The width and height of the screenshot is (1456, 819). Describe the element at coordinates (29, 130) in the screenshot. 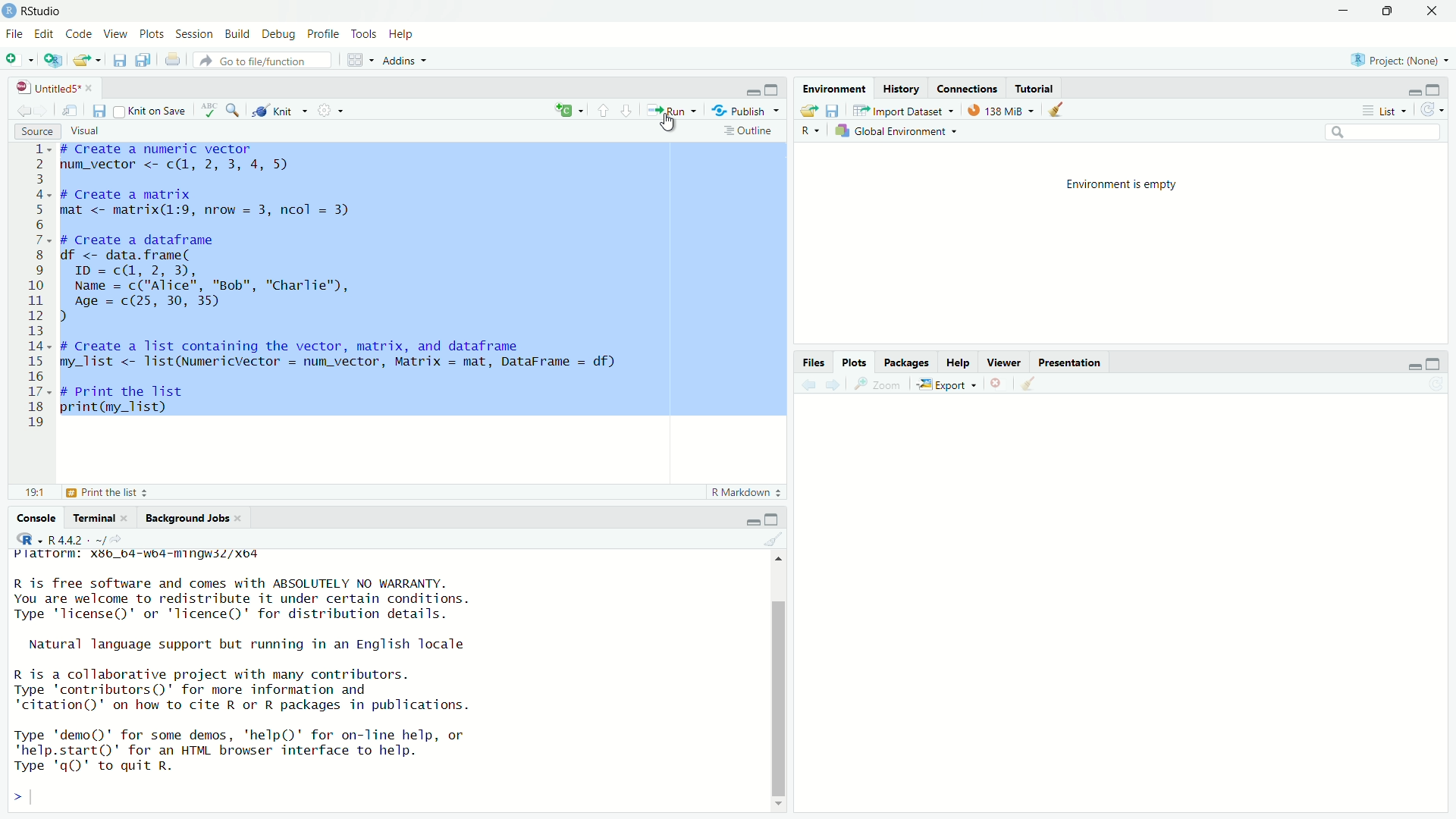

I see `Source.` at that location.